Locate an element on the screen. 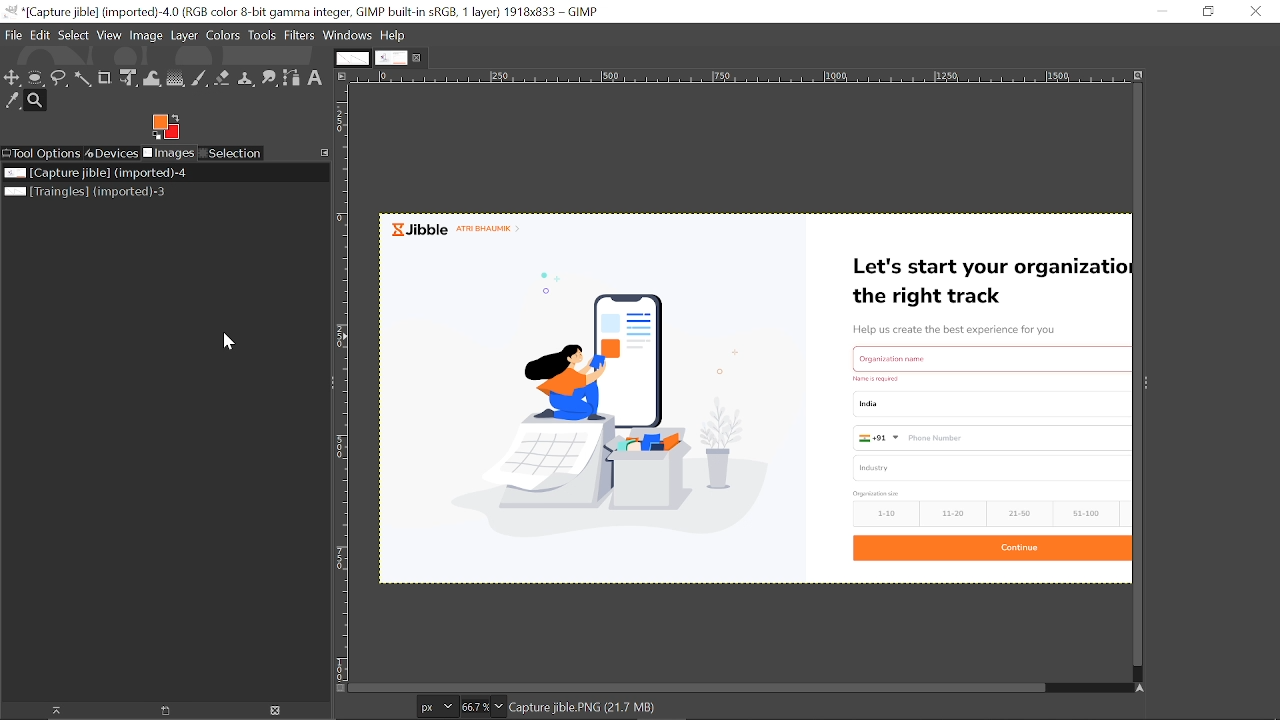  Current zoom is located at coordinates (475, 706).